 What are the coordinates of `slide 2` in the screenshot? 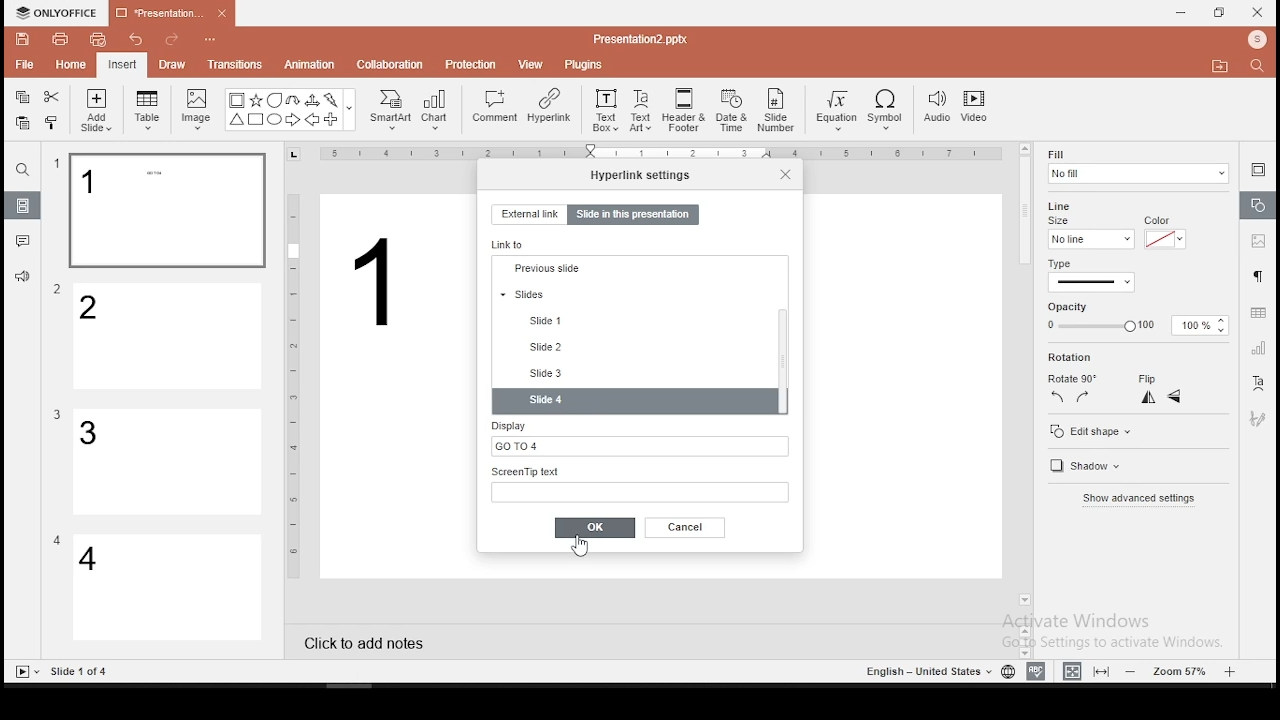 It's located at (169, 337).